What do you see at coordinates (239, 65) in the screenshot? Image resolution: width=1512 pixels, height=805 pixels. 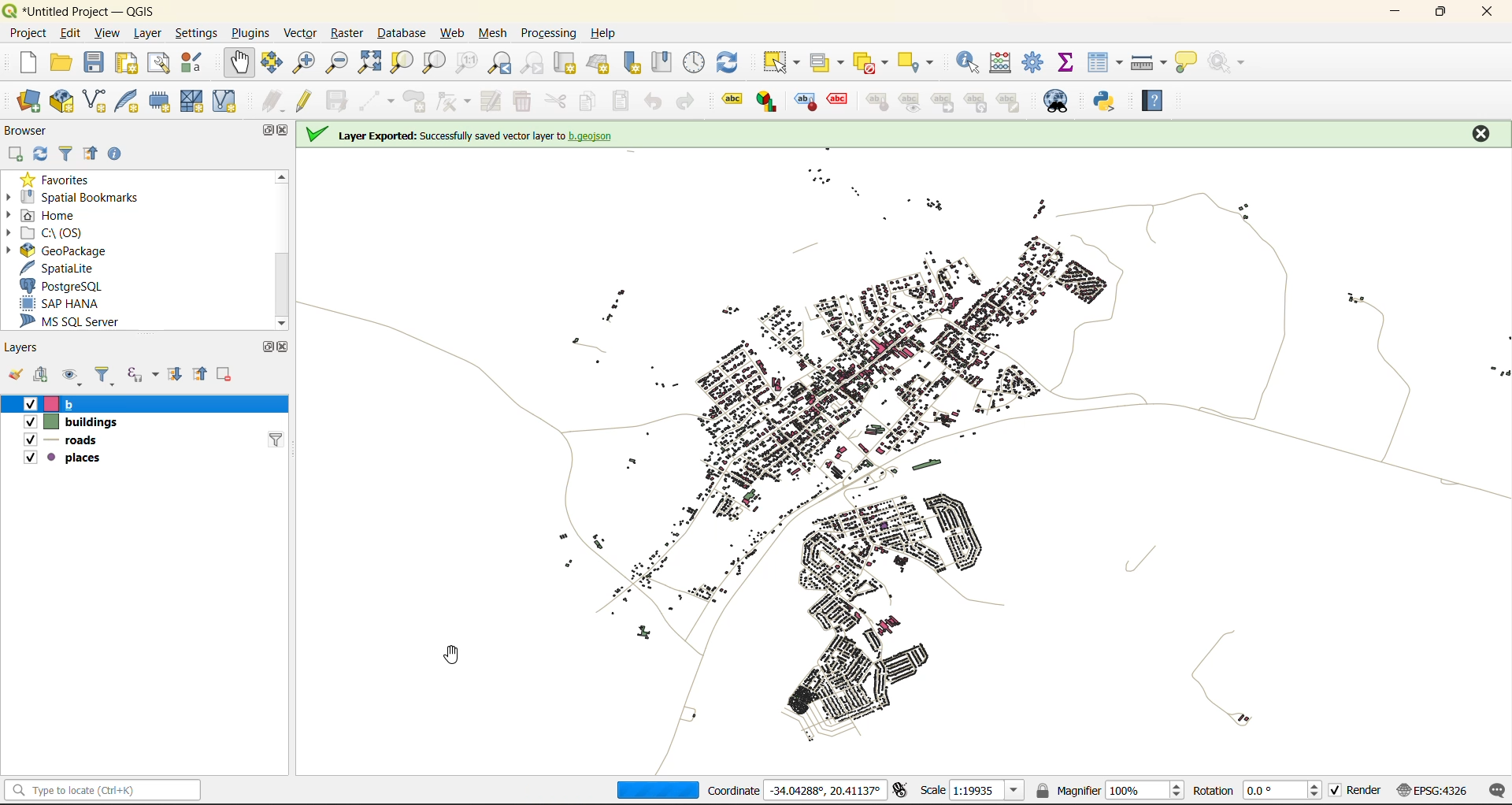 I see `pan map` at bounding box center [239, 65].